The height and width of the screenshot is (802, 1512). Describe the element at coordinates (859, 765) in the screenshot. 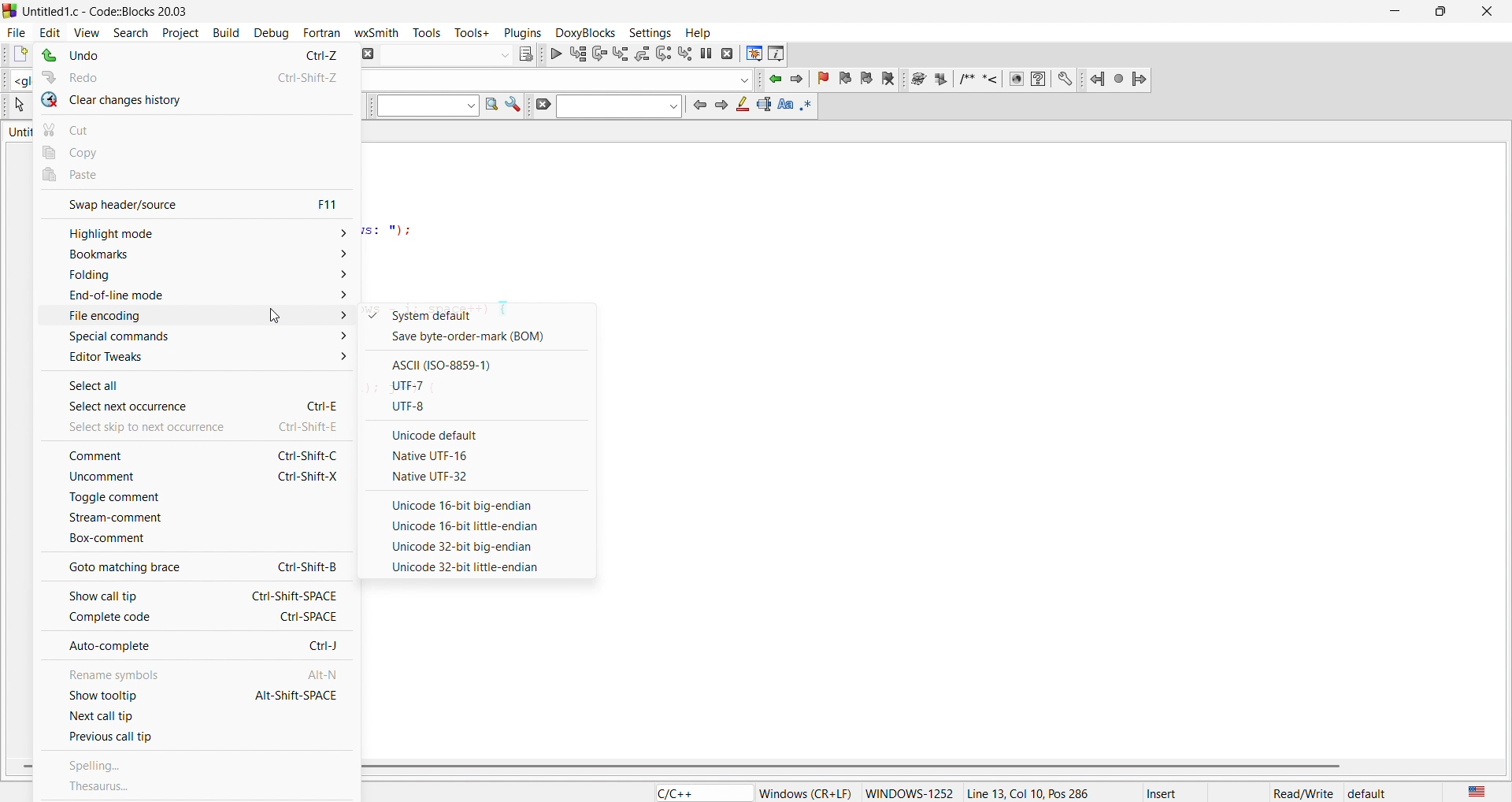

I see `vertical scroll bar` at that location.